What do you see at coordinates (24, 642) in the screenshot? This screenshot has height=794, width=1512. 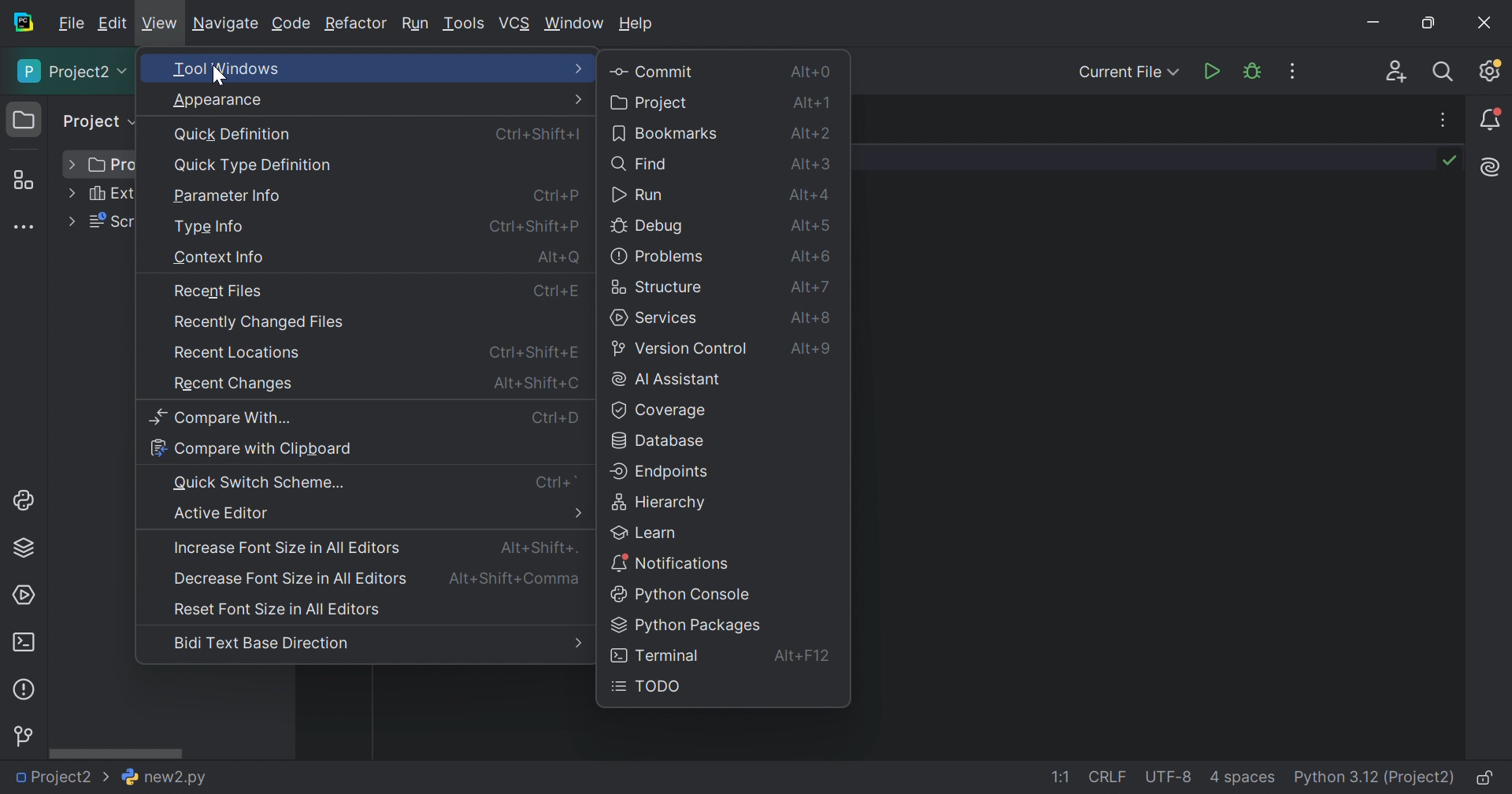 I see `Terminal` at bounding box center [24, 642].